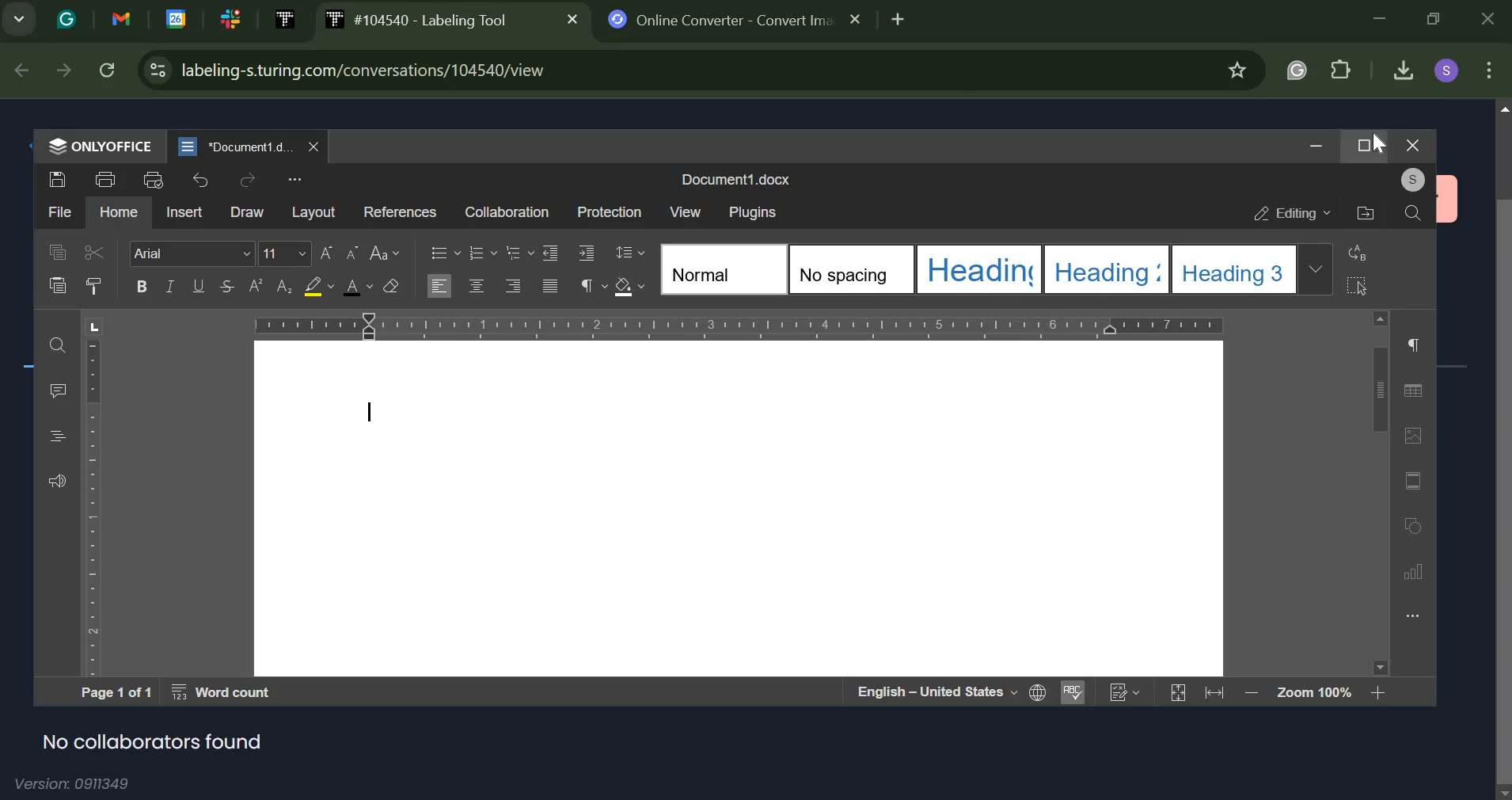 Image resolution: width=1512 pixels, height=800 pixels. Describe the element at coordinates (1379, 692) in the screenshot. I see `Increase zoom` at that location.